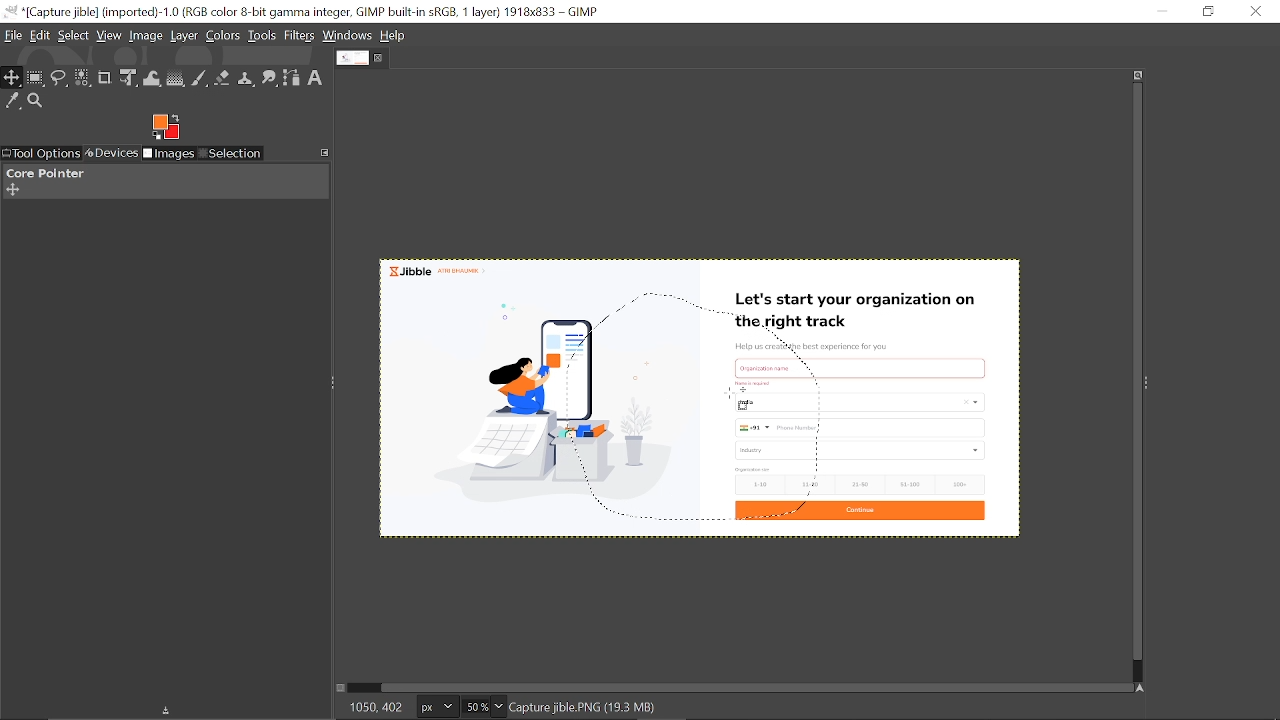 The width and height of the screenshot is (1280, 720). What do you see at coordinates (110, 154) in the screenshot?
I see `Devices` at bounding box center [110, 154].